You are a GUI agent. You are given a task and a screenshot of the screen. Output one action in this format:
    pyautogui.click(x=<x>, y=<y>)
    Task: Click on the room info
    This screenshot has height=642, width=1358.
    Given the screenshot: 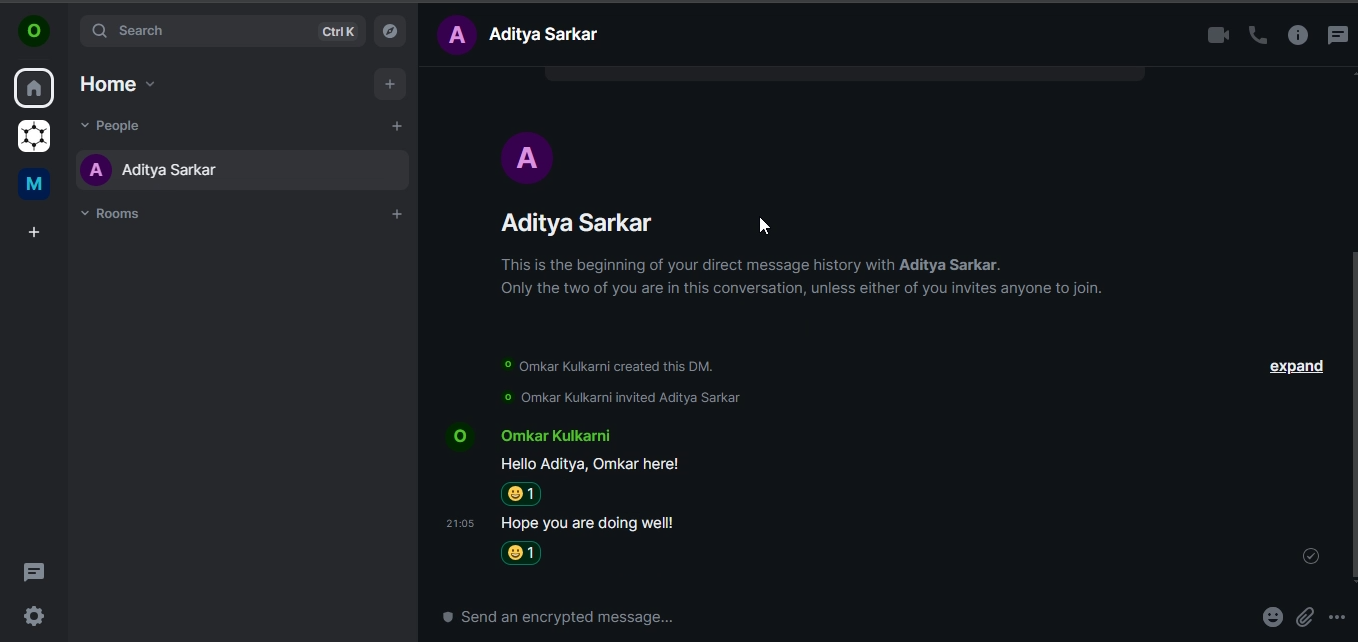 What is the action you would take?
    pyautogui.click(x=1296, y=36)
    